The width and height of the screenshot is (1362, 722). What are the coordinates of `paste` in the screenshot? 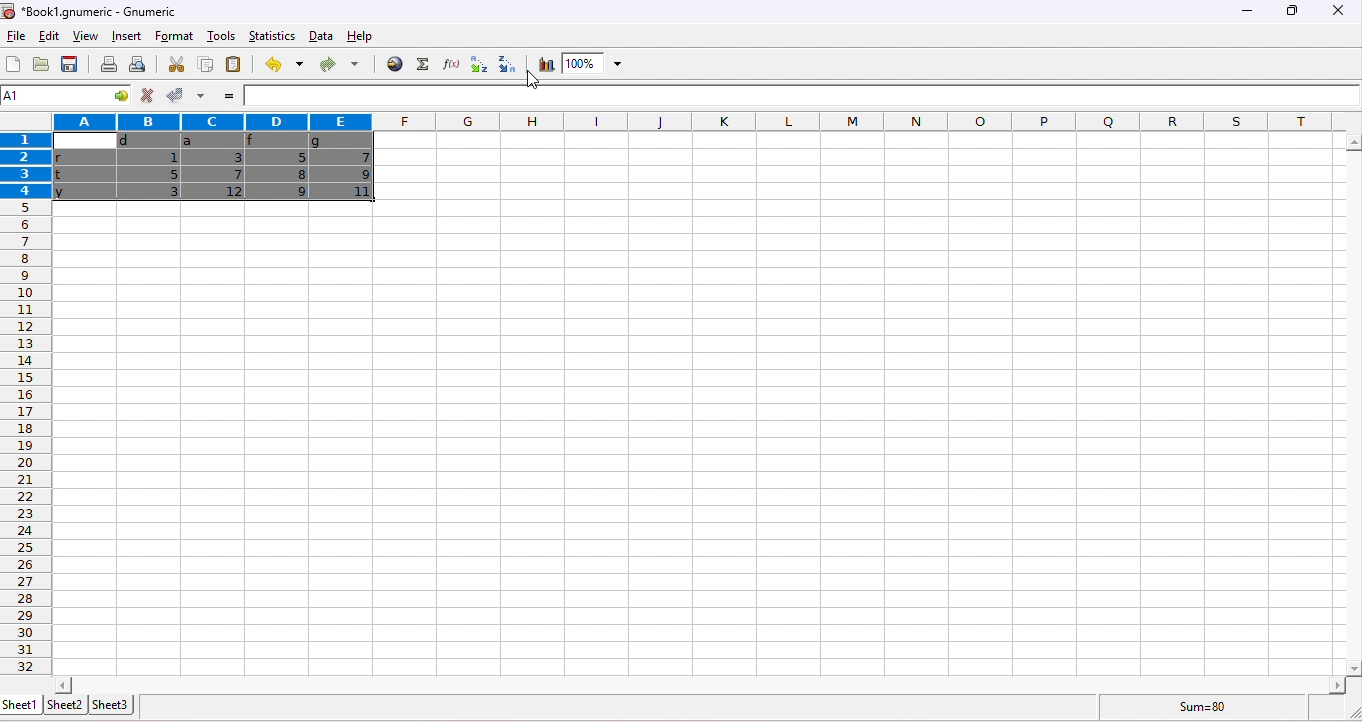 It's located at (234, 63).